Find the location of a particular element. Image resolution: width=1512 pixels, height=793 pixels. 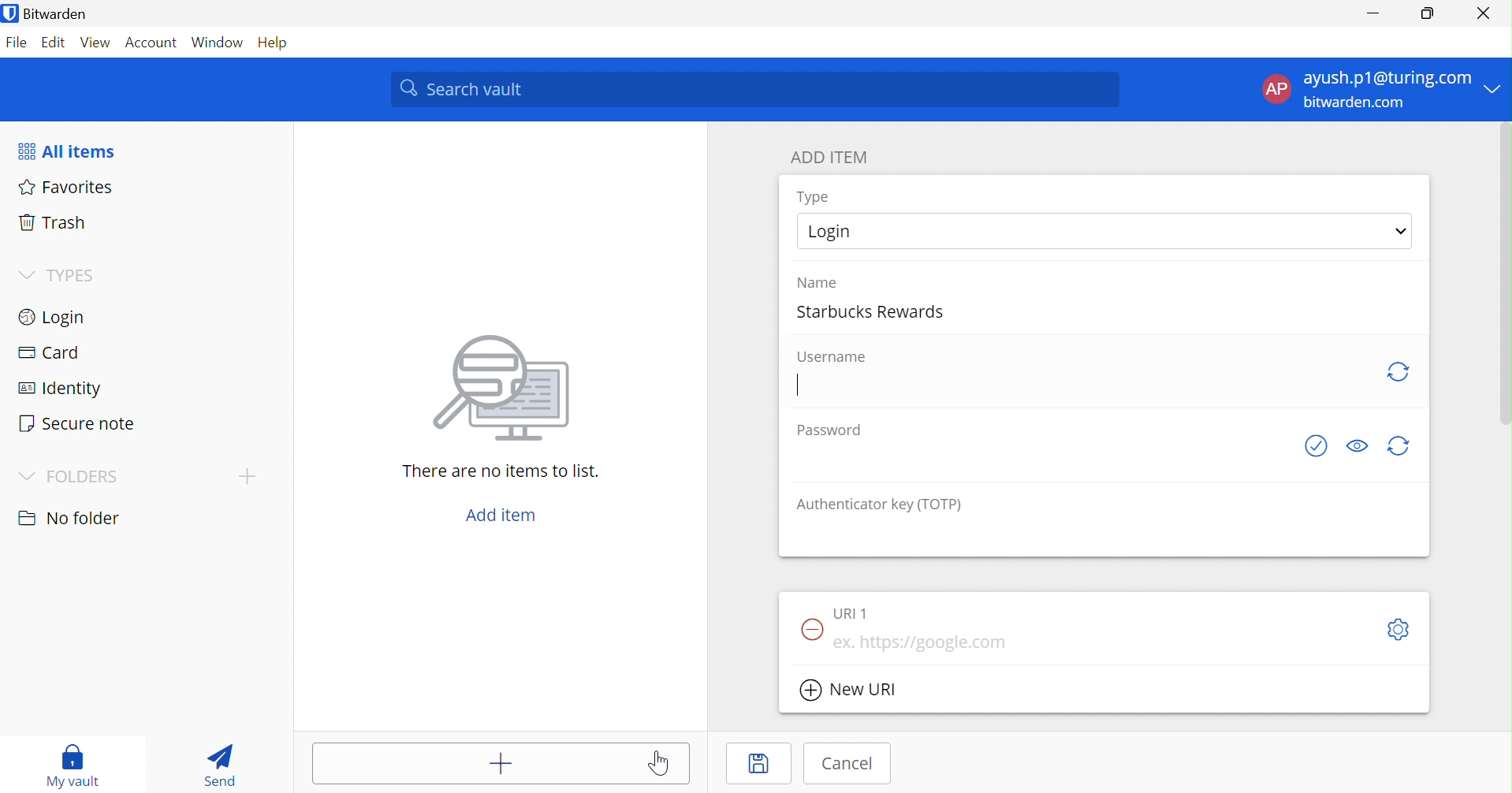

ADD ITEM is located at coordinates (831, 158).